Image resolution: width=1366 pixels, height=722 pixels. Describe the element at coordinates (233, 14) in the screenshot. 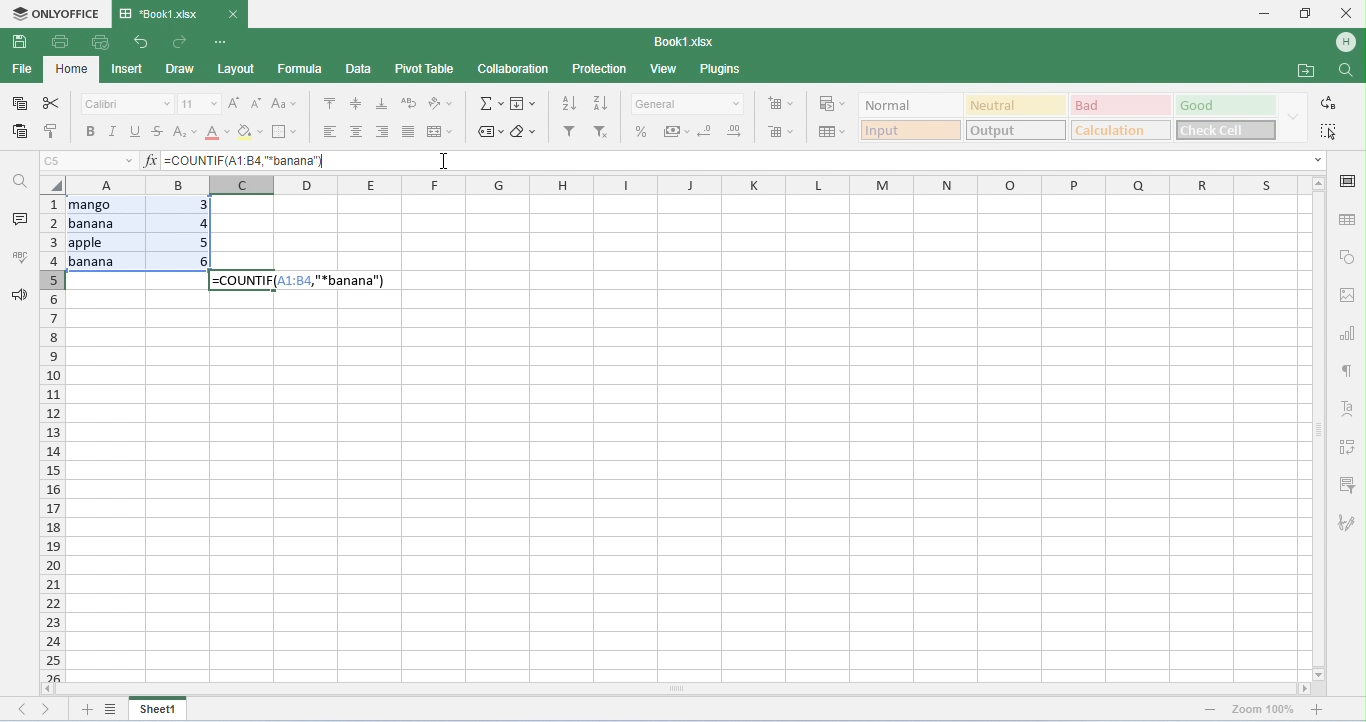

I see `close` at that location.